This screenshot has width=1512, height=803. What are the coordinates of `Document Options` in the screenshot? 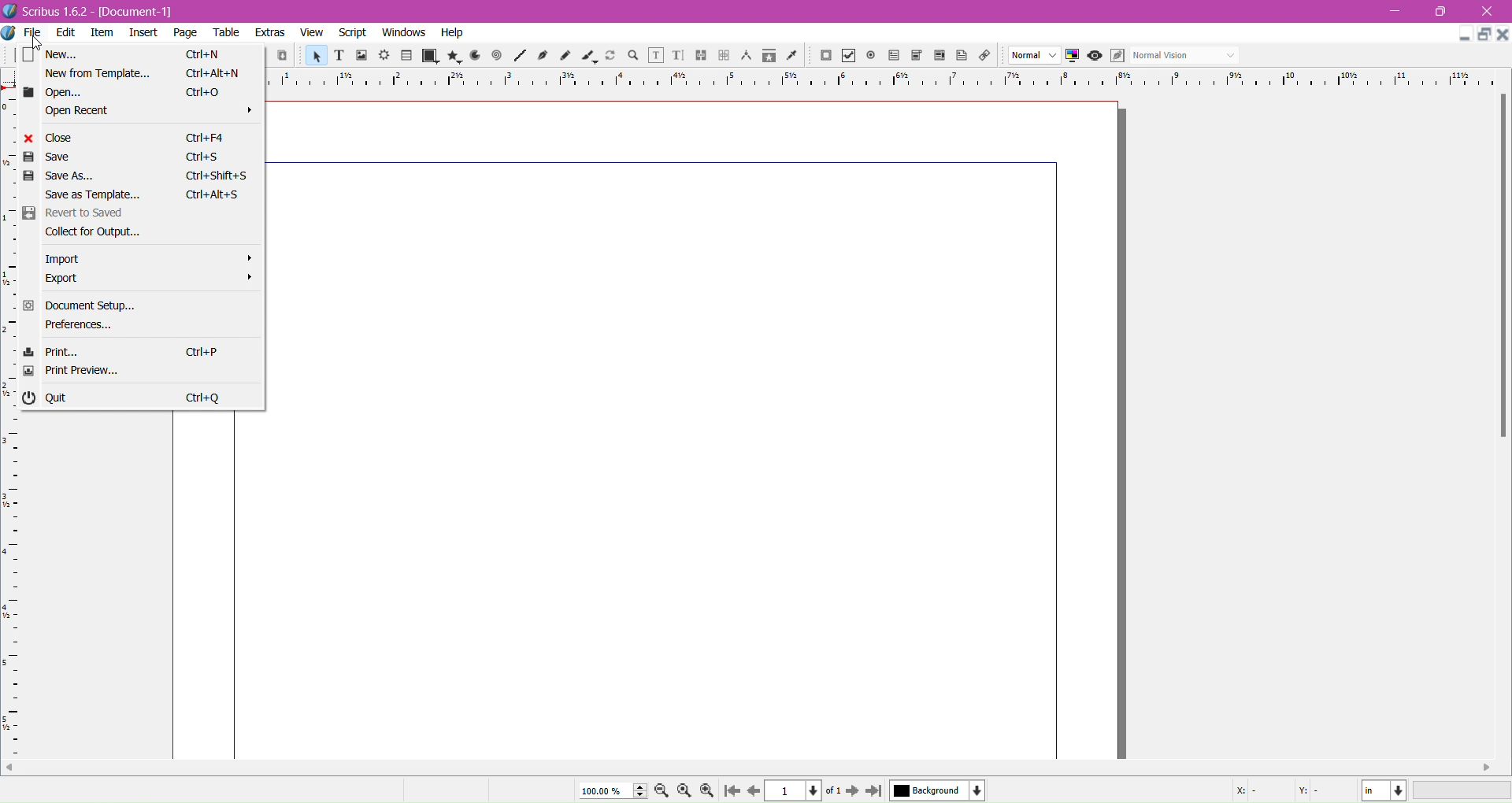 It's located at (9, 35).